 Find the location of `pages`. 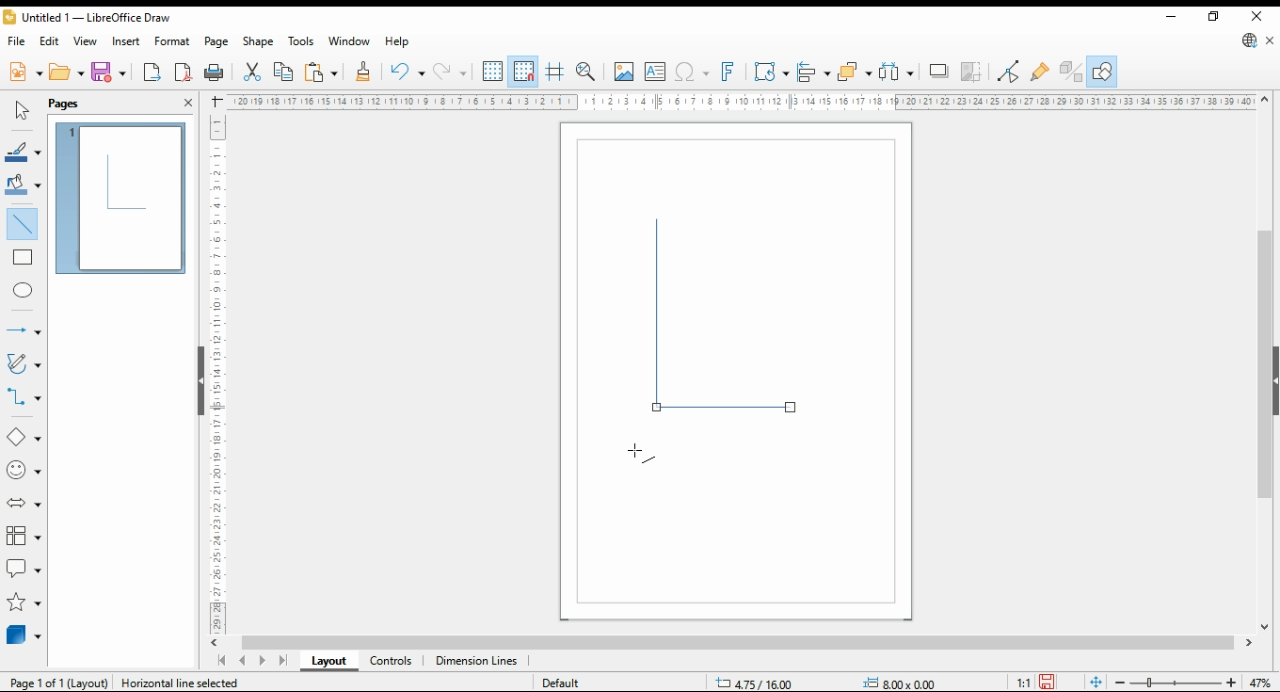

pages is located at coordinates (73, 103).